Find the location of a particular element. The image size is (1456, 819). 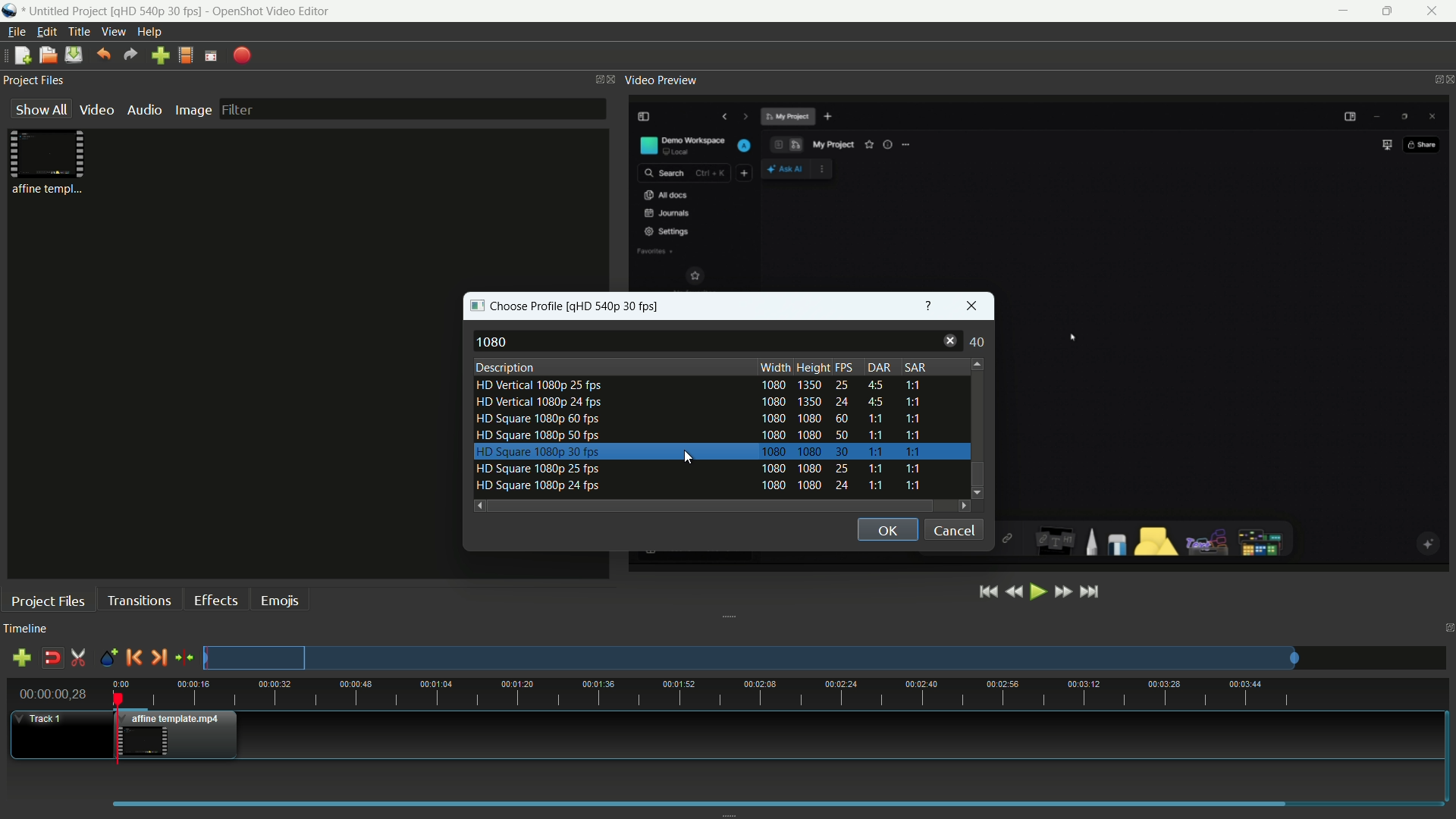

dar is located at coordinates (880, 368).